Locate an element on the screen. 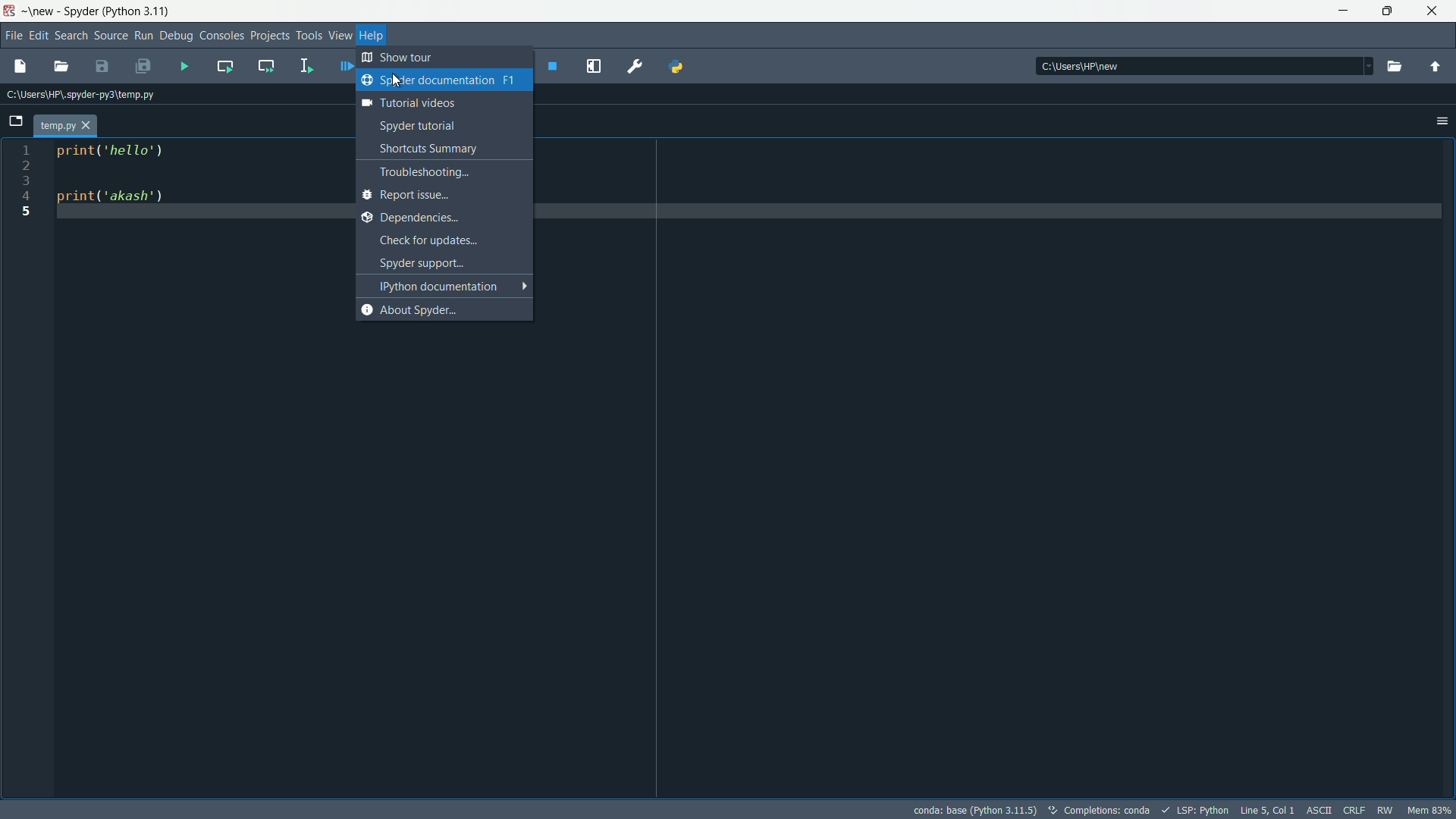  maximize is located at coordinates (1389, 11).